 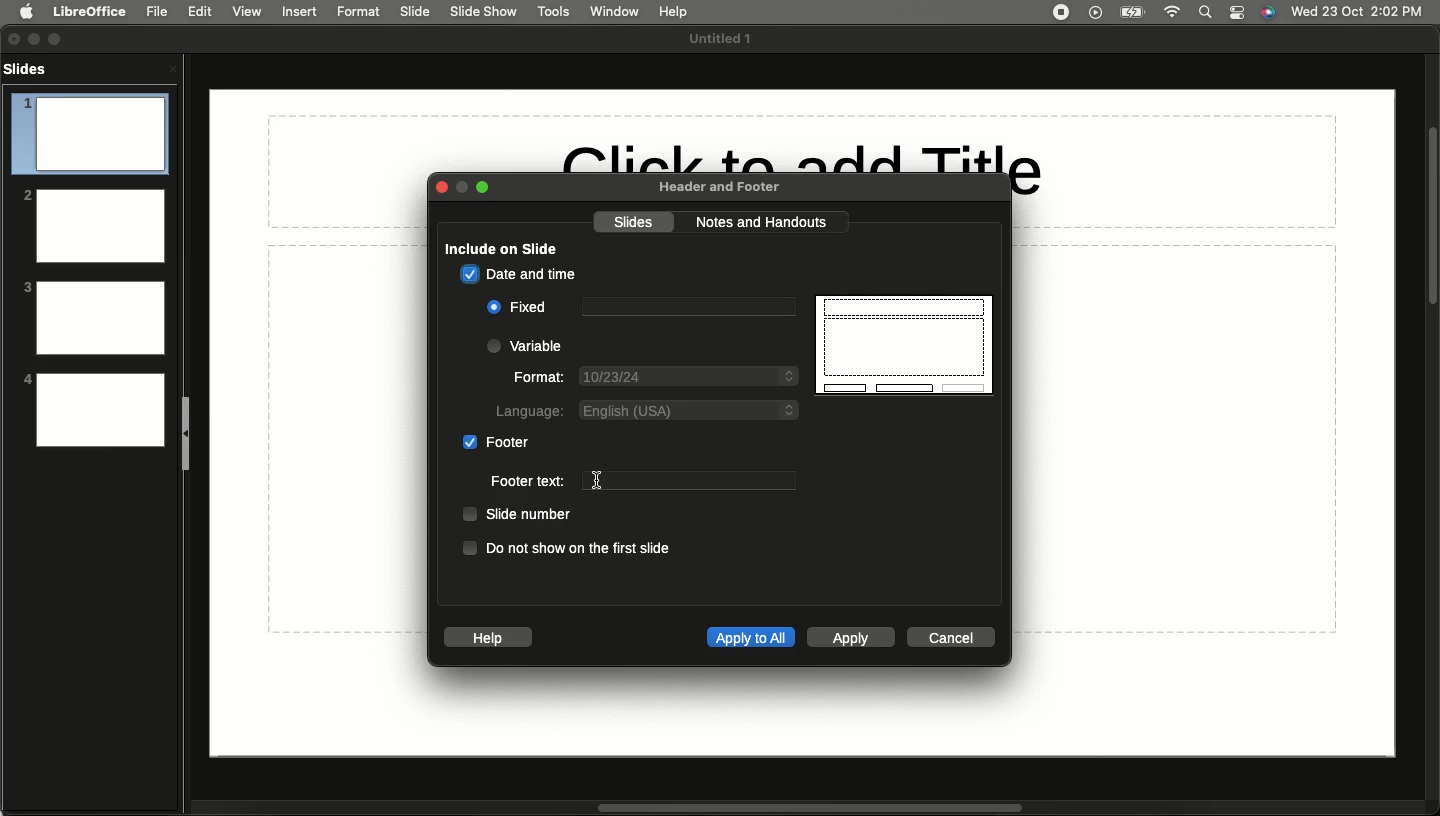 I want to click on File, so click(x=157, y=11).